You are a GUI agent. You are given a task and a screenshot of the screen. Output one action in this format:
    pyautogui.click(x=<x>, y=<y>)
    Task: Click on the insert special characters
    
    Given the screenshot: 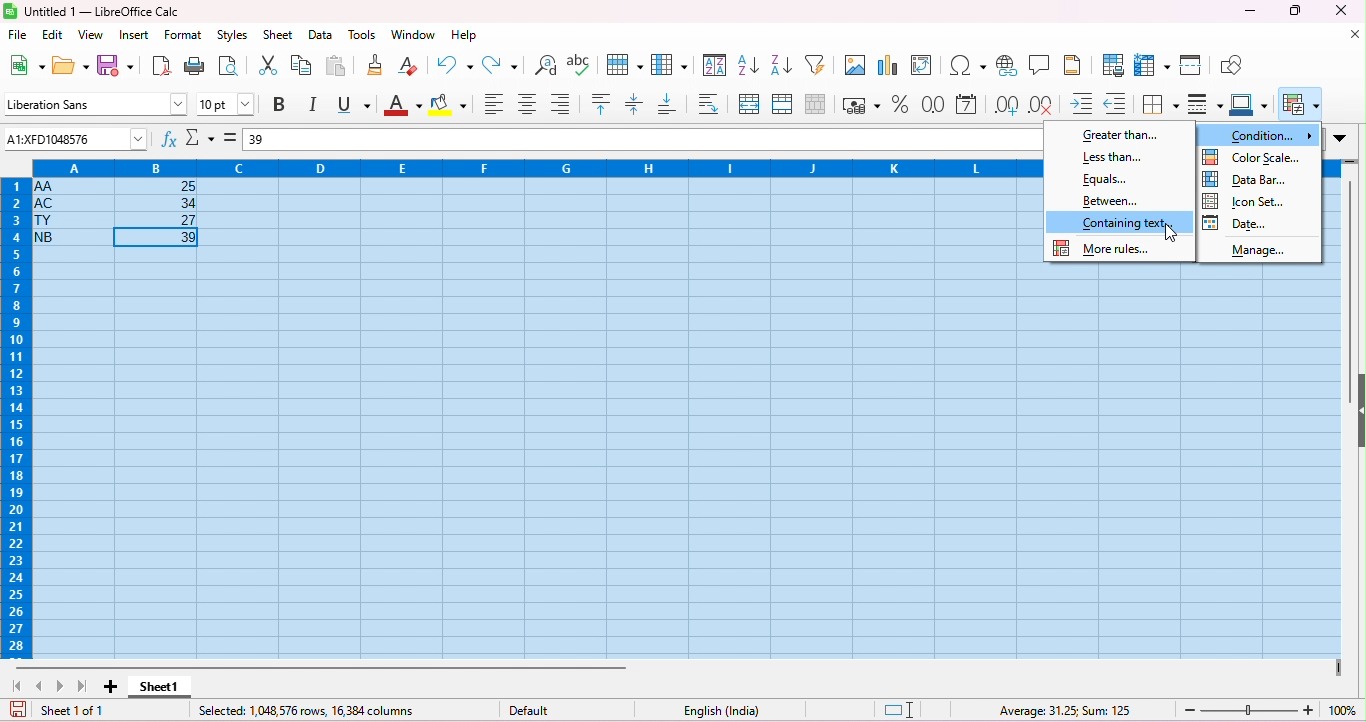 What is the action you would take?
    pyautogui.click(x=968, y=66)
    